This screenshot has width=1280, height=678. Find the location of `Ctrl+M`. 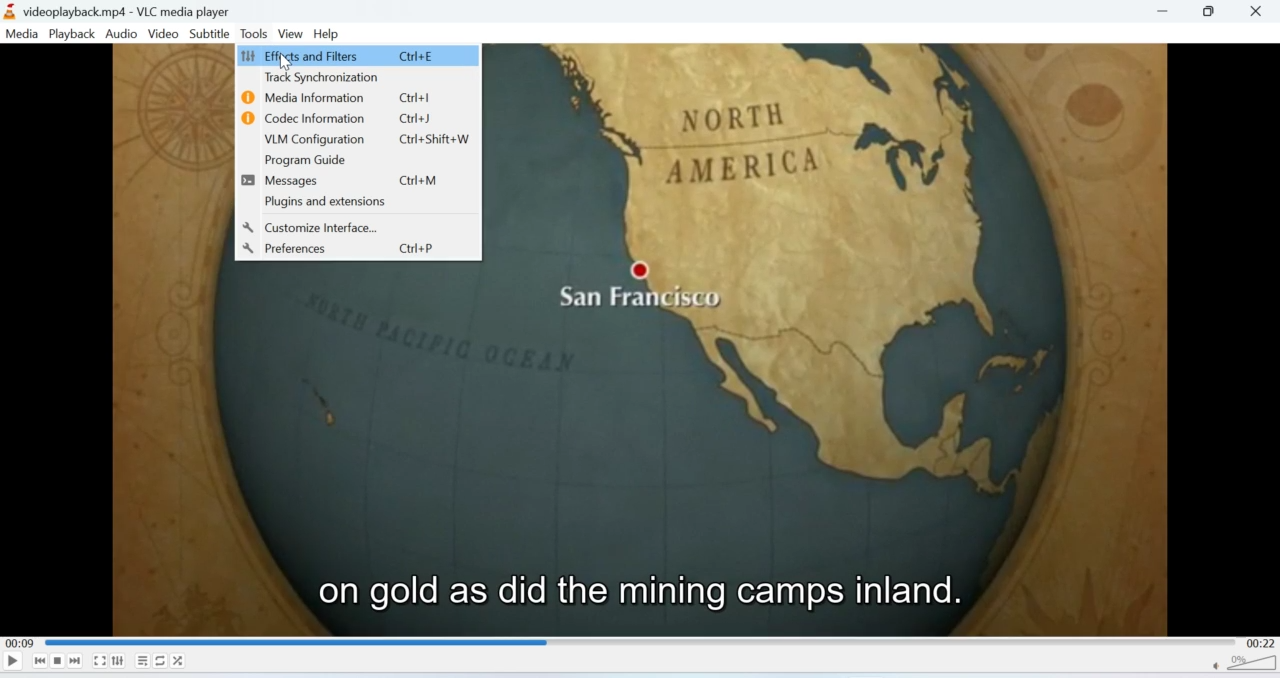

Ctrl+M is located at coordinates (416, 179).